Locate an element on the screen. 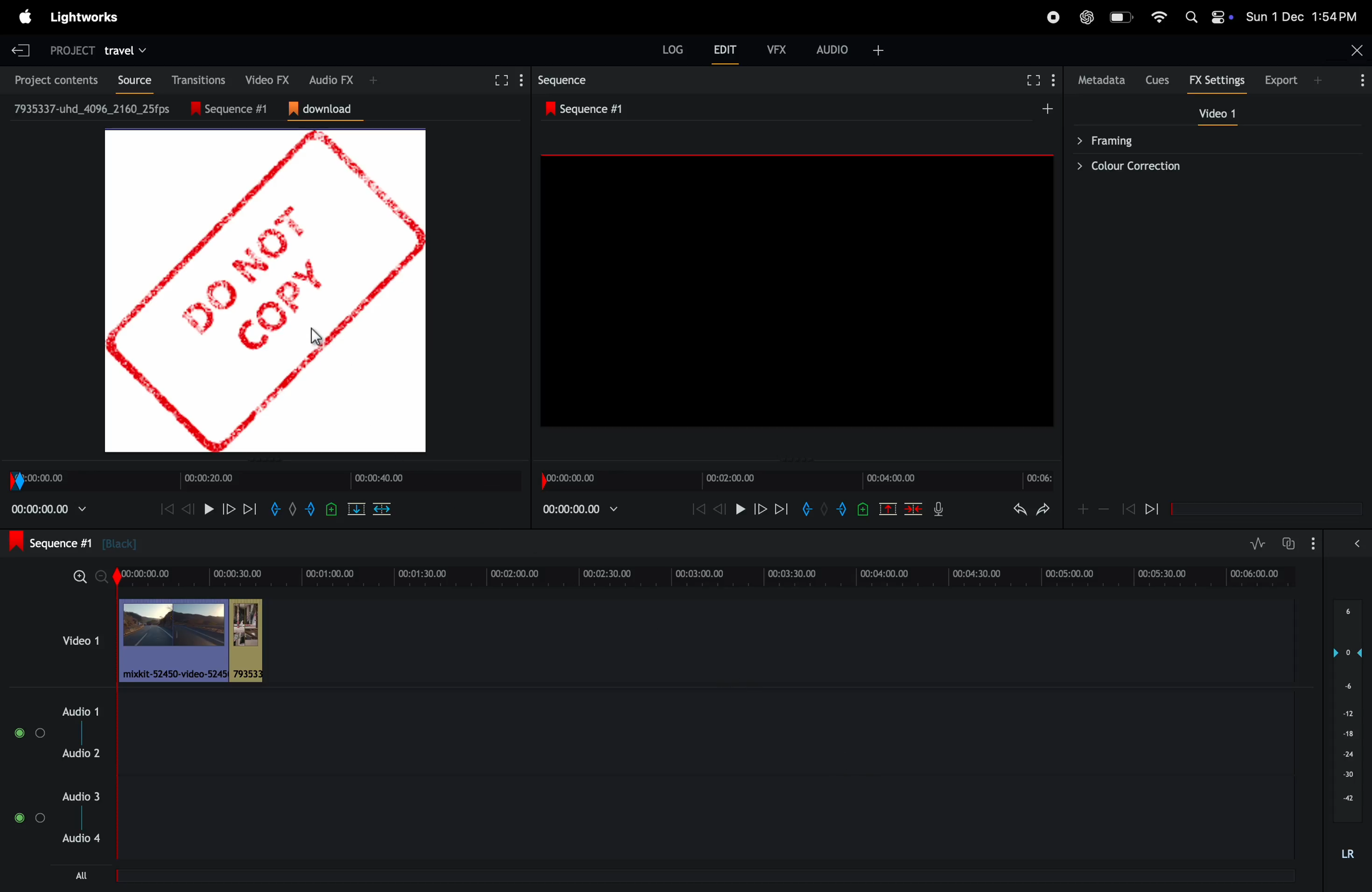  add out is located at coordinates (311, 509).